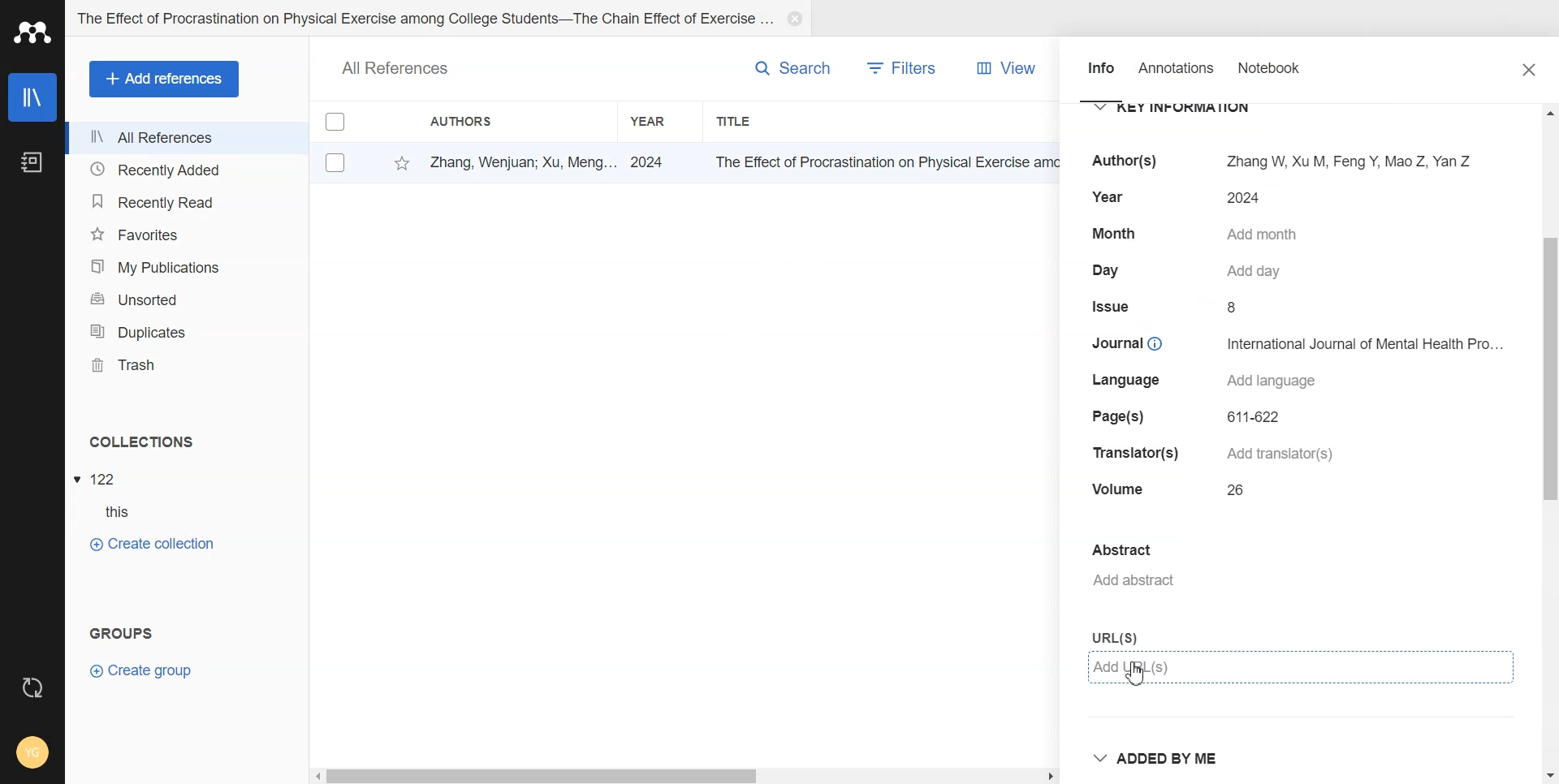 The height and width of the screenshot is (784, 1559). Describe the element at coordinates (423, 19) in the screenshot. I see `Folder` at that location.